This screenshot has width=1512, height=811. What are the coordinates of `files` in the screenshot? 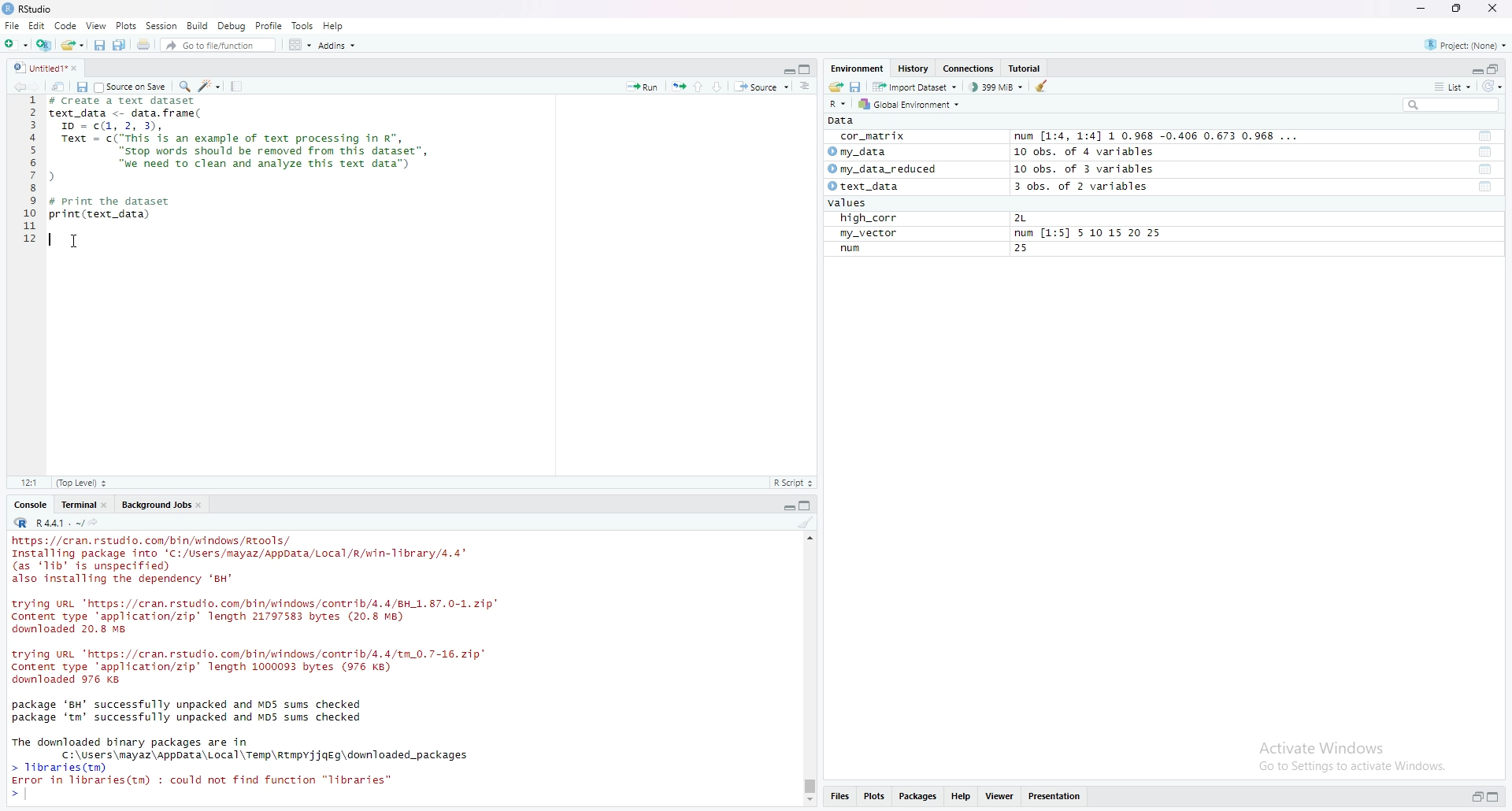 It's located at (840, 797).